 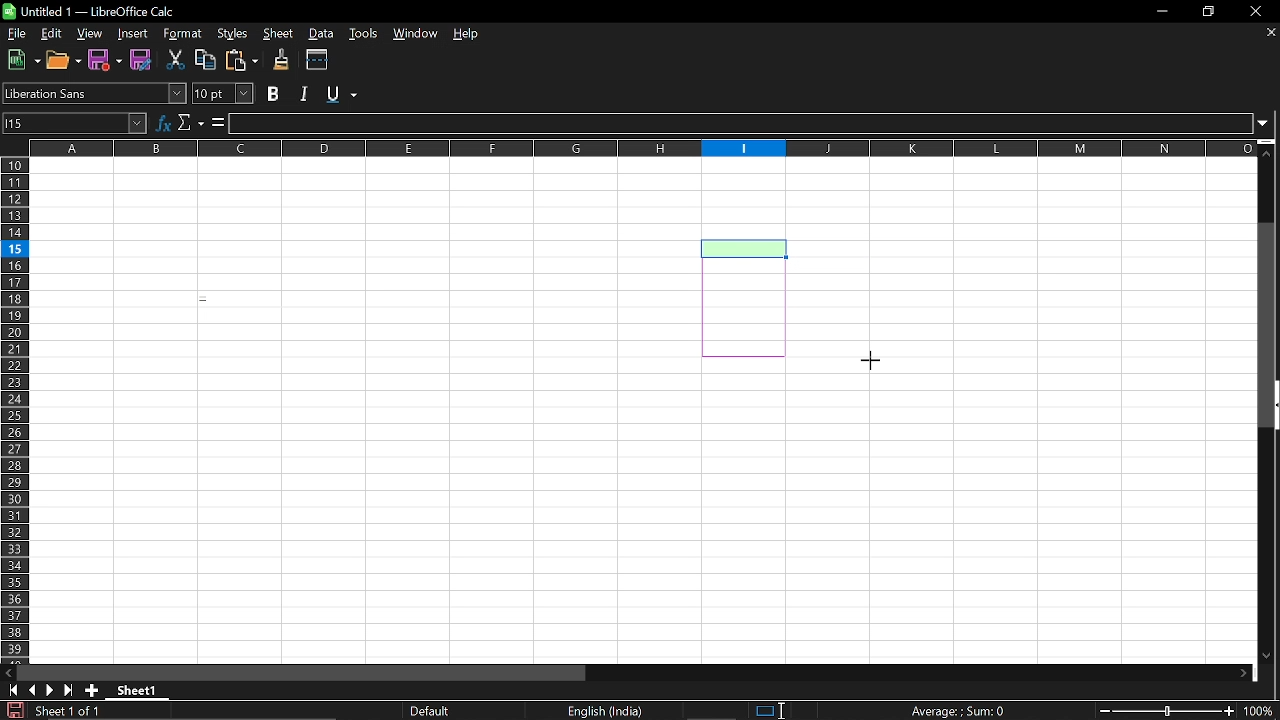 I want to click on Minimize, so click(x=1162, y=11).